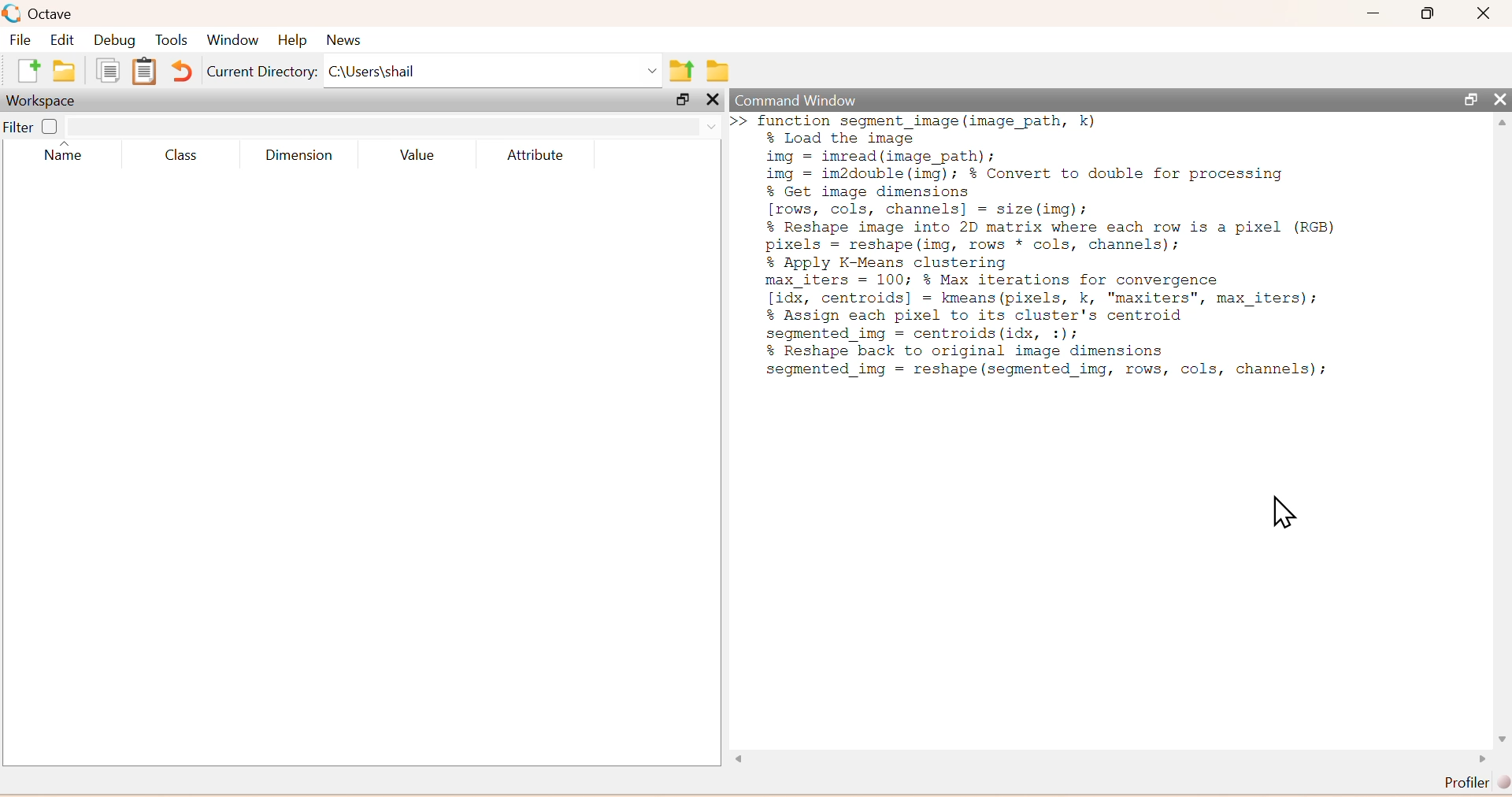  What do you see at coordinates (262, 74) in the screenshot?
I see `Current Directory:` at bounding box center [262, 74].